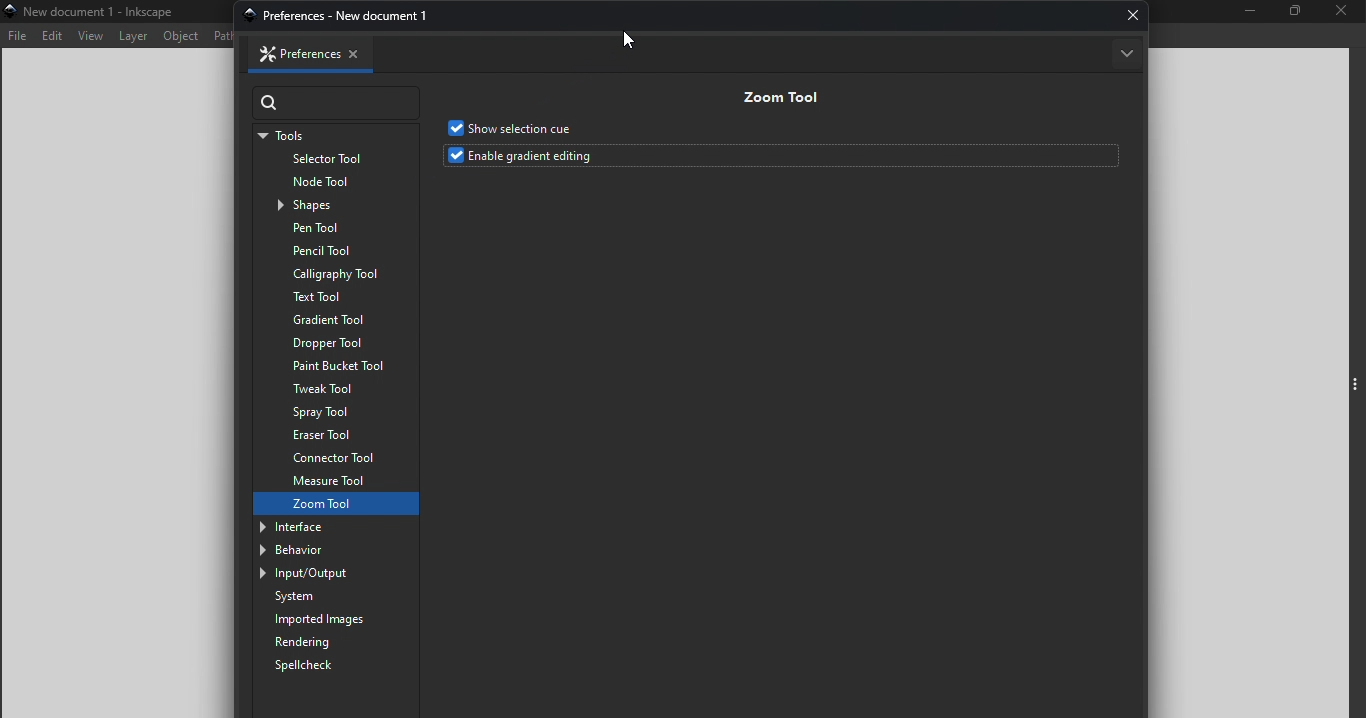 This screenshot has height=718, width=1366. Describe the element at coordinates (249, 14) in the screenshot. I see `app icon` at that location.